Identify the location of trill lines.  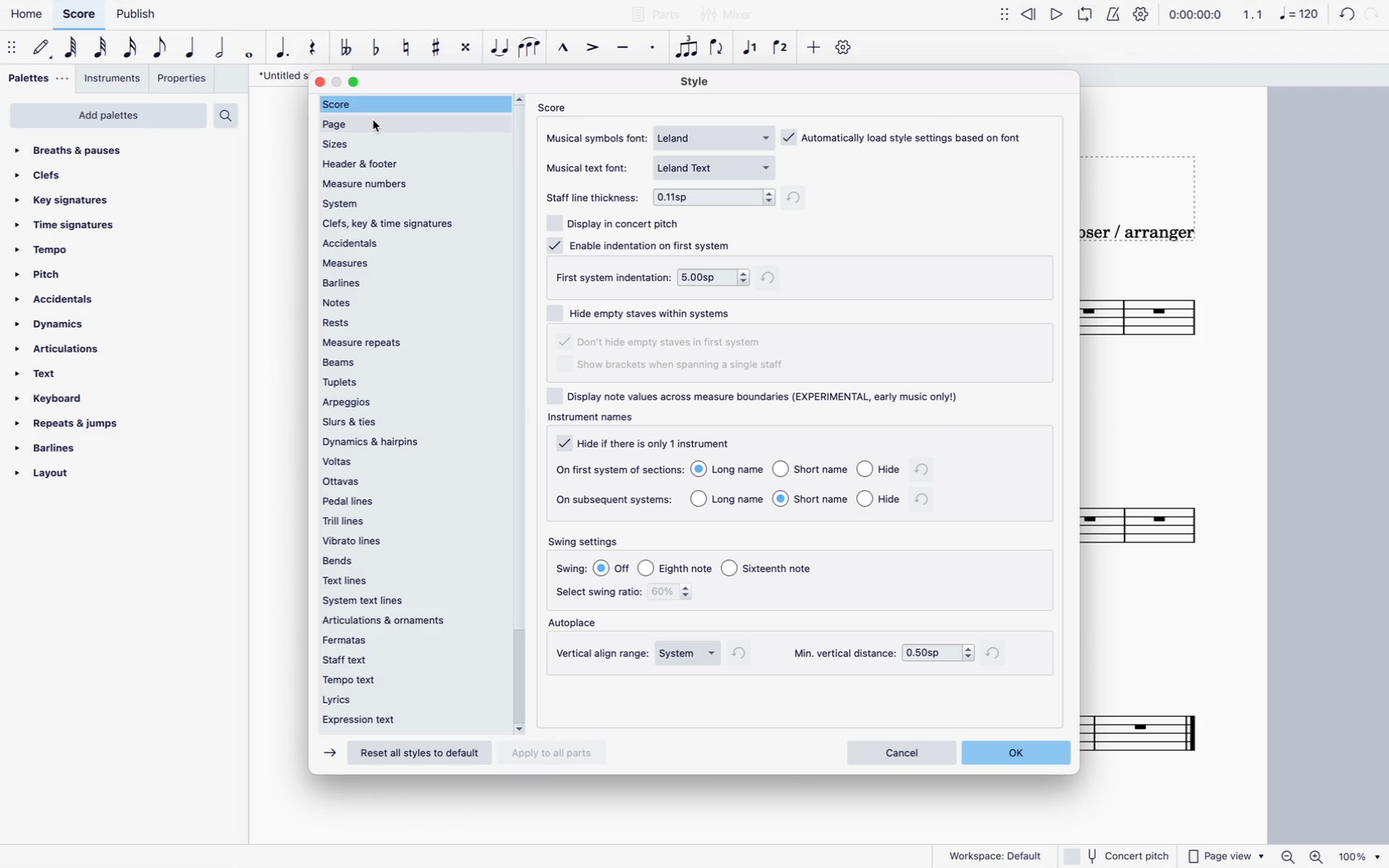
(408, 519).